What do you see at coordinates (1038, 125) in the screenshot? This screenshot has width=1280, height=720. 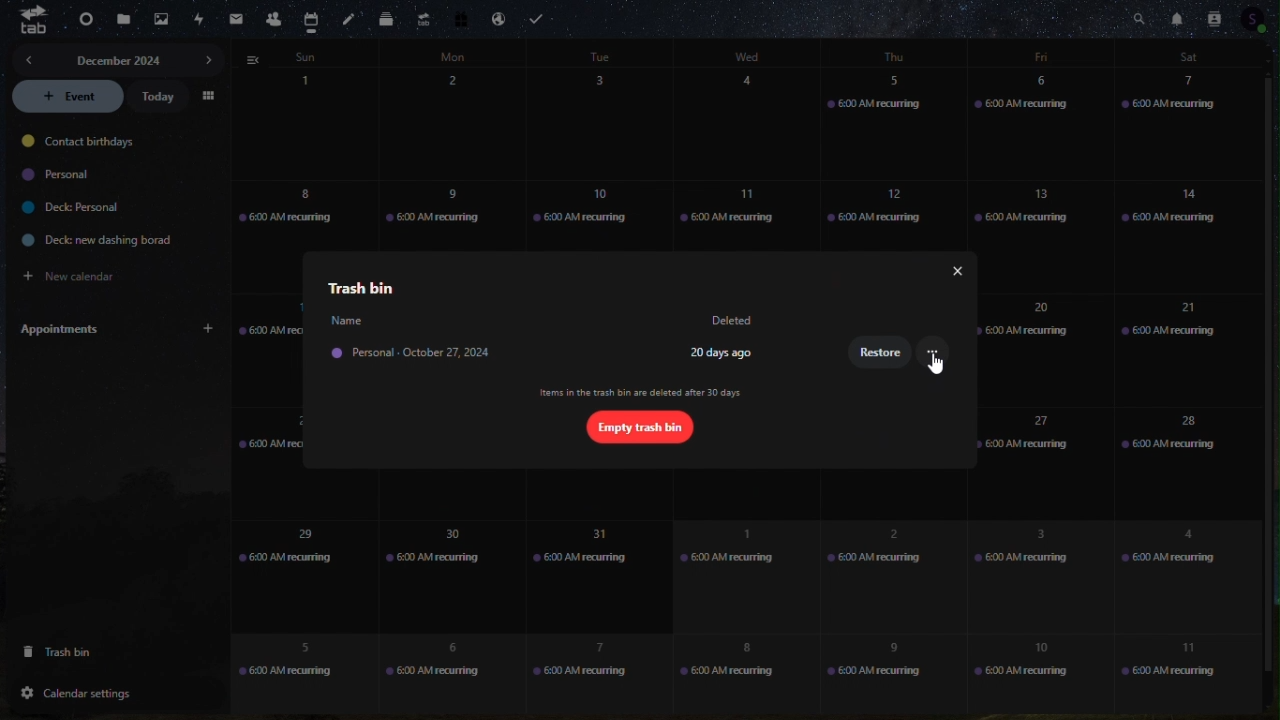 I see `6` at bounding box center [1038, 125].